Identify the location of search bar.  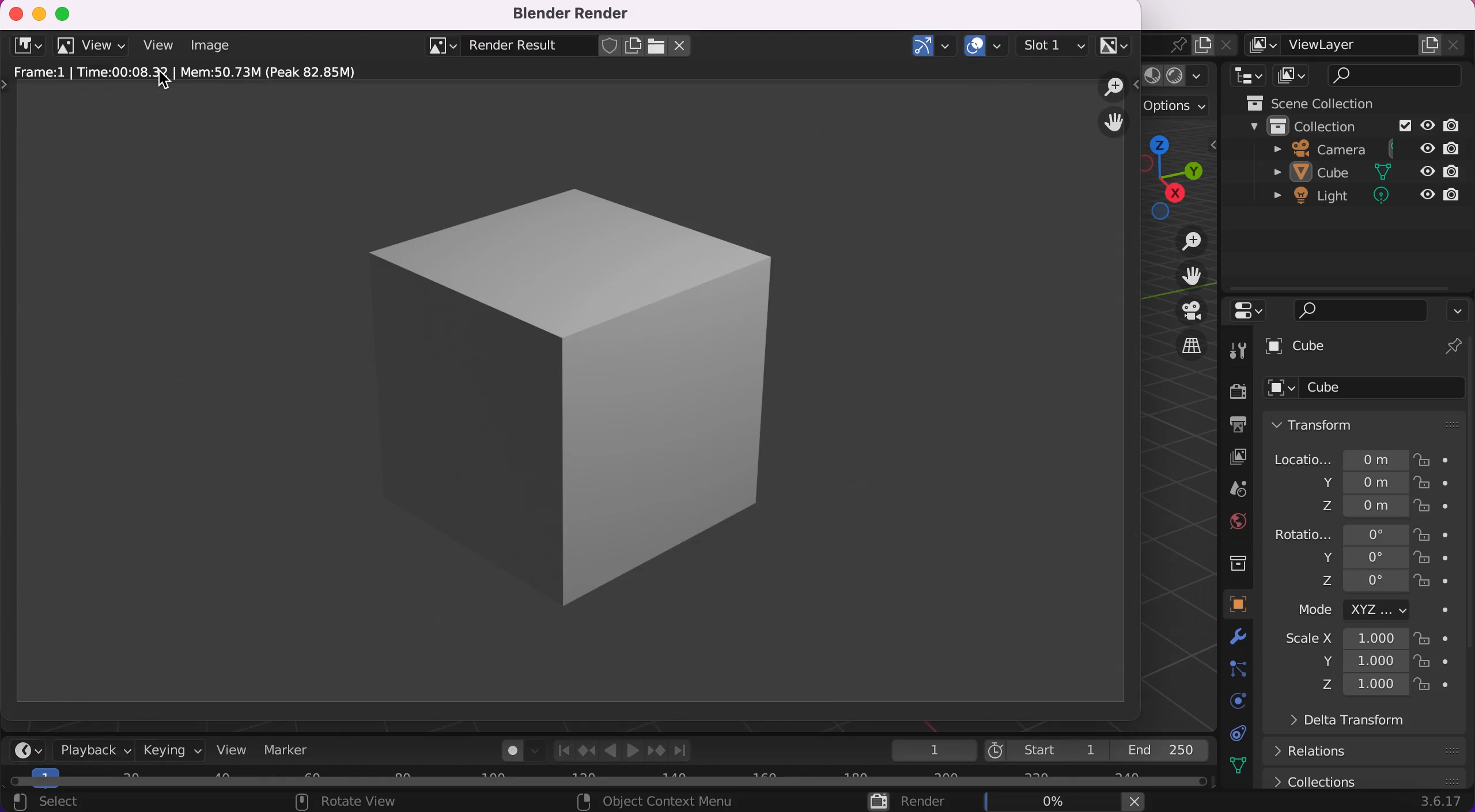
(1395, 75).